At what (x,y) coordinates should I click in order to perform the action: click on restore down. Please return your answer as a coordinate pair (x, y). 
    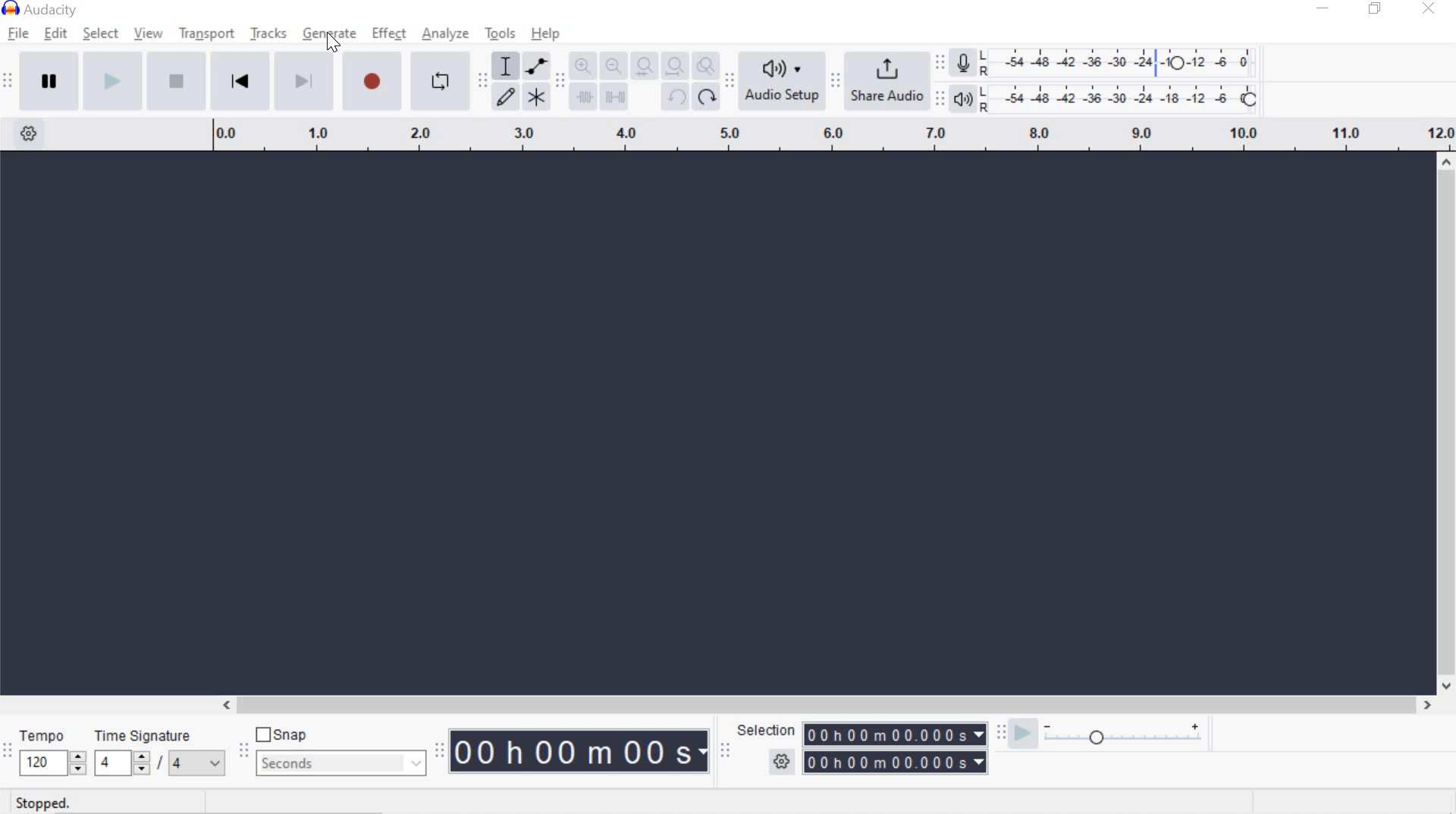
    Looking at the image, I should click on (1375, 9).